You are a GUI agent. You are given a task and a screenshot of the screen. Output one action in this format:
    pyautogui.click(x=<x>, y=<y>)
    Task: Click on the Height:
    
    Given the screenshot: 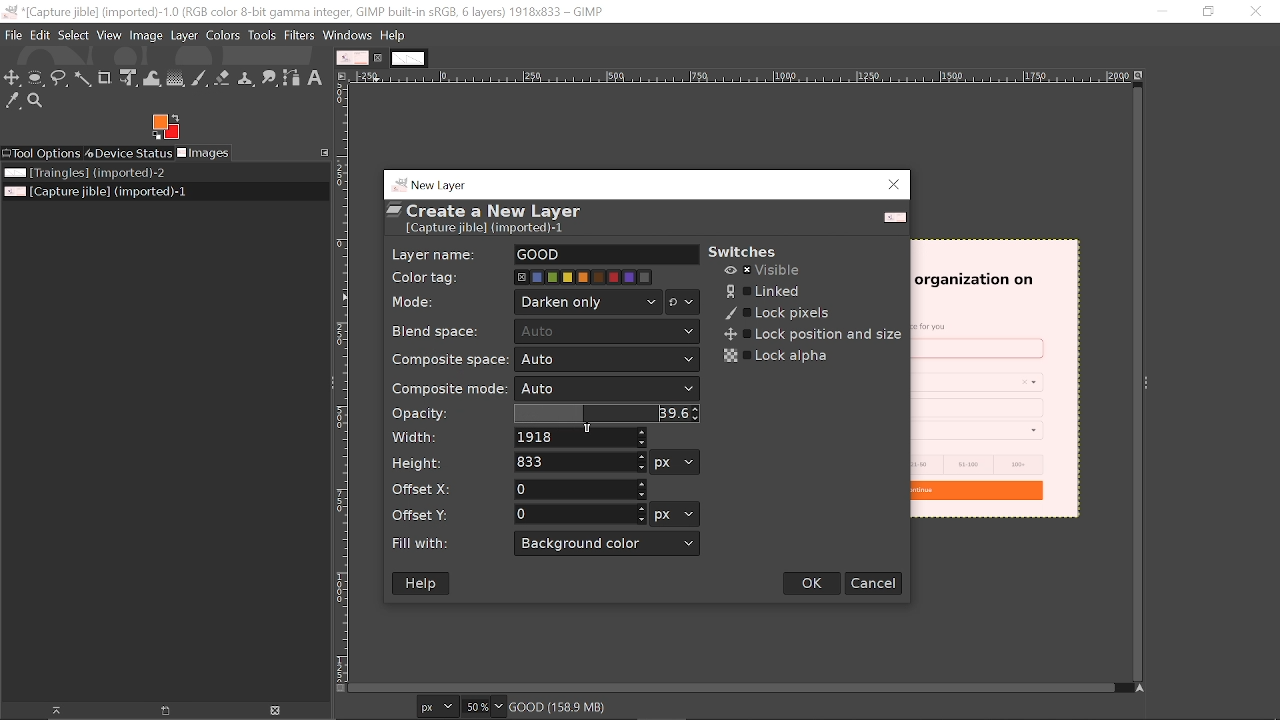 What is the action you would take?
    pyautogui.click(x=417, y=462)
    